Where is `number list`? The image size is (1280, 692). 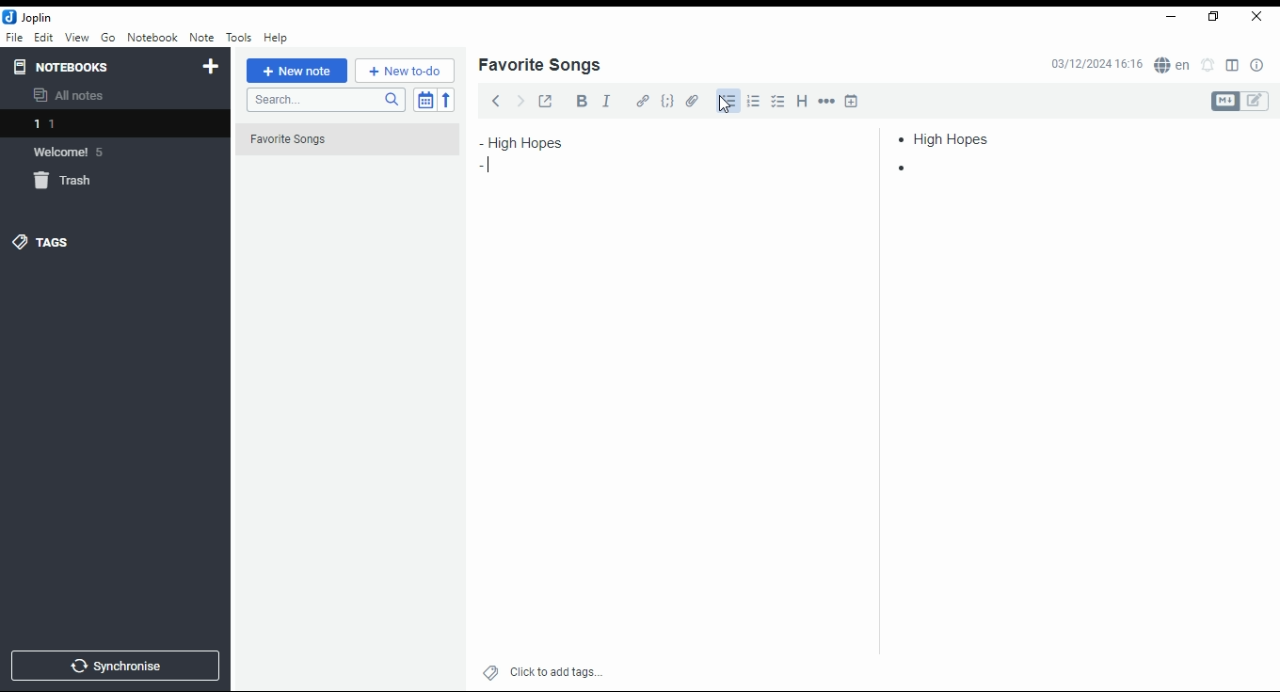 number list is located at coordinates (754, 100).